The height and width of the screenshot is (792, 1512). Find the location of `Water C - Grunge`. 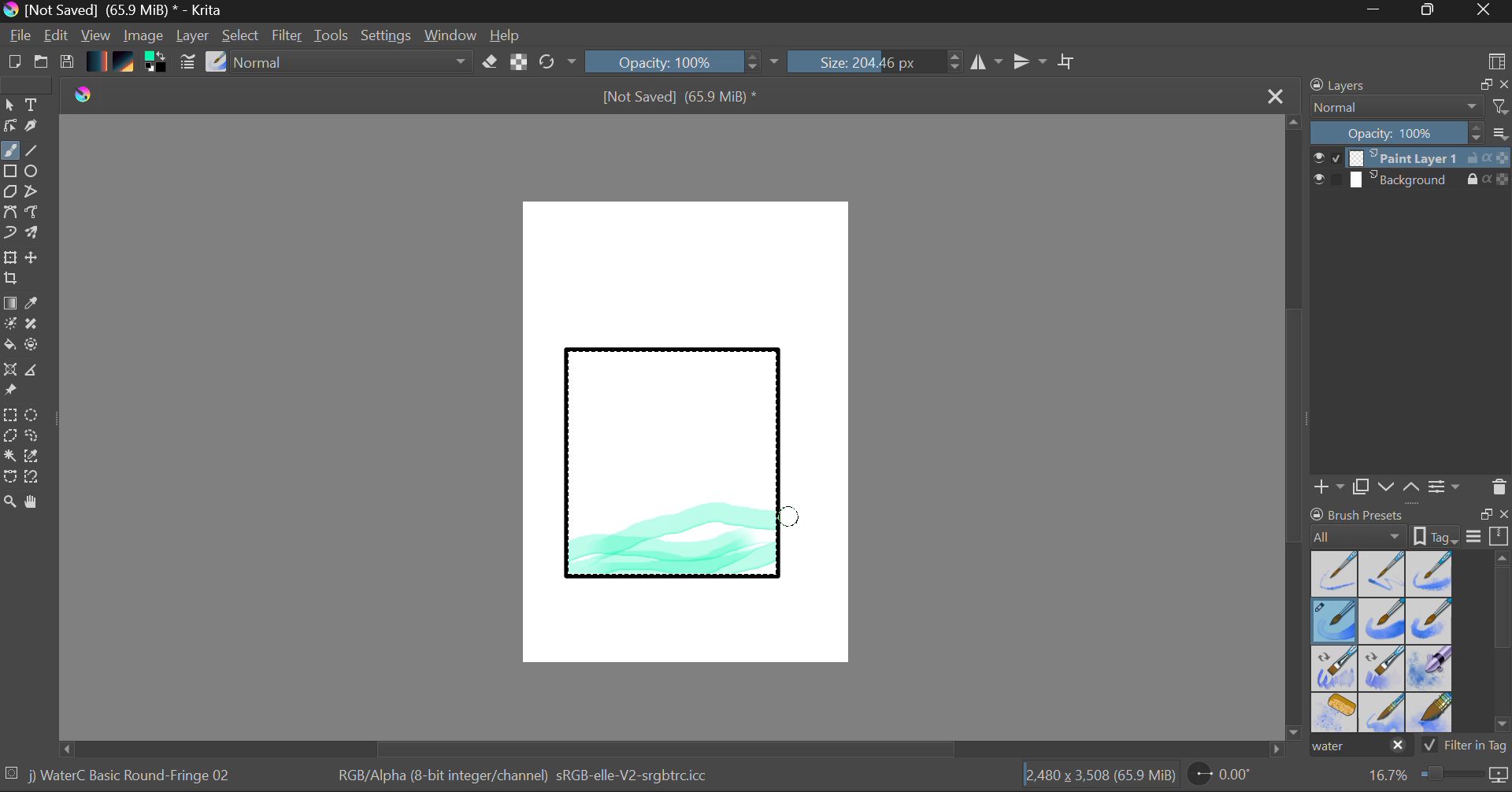

Water C - Grunge is located at coordinates (1430, 621).